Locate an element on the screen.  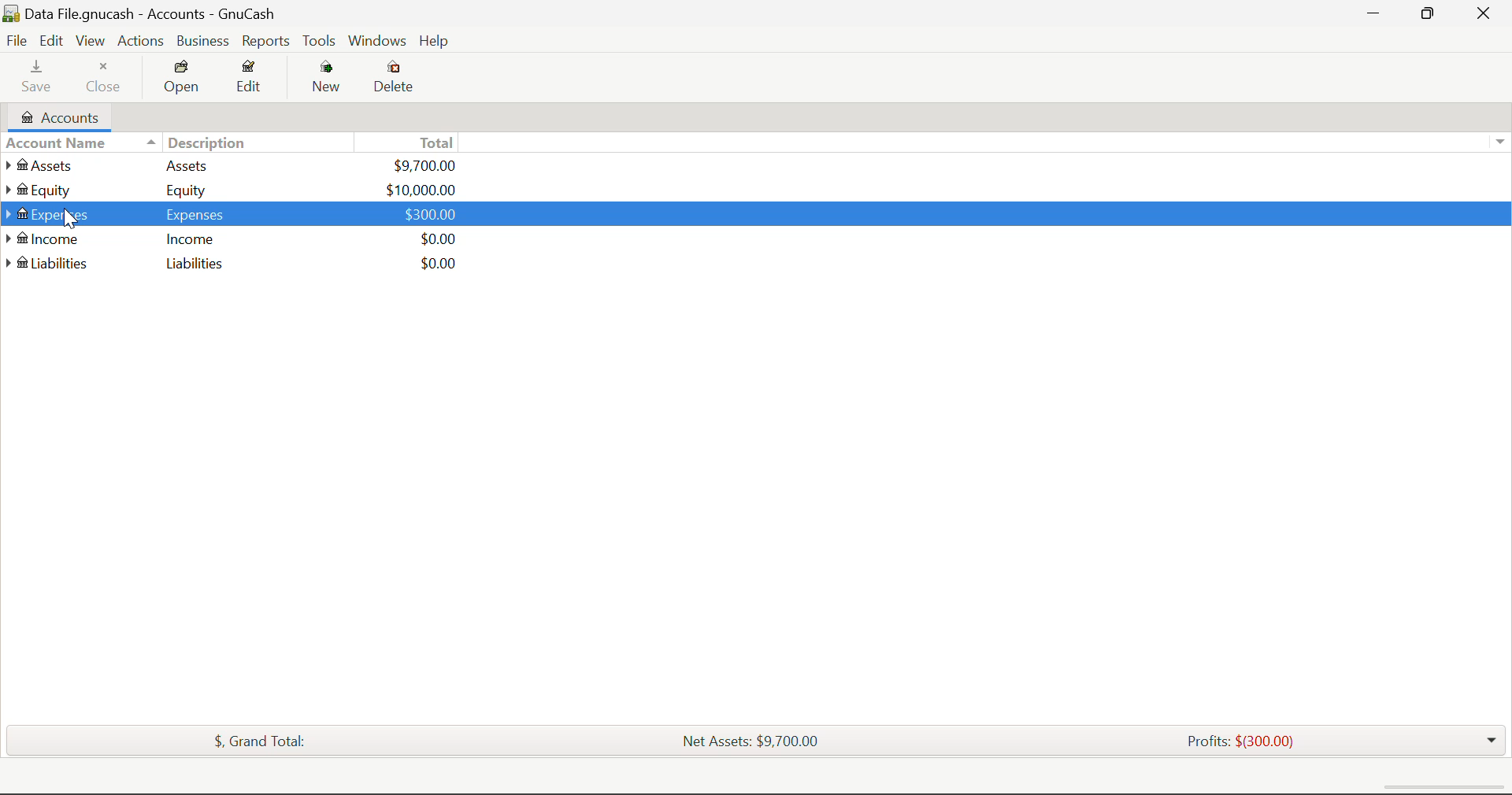
Business is located at coordinates (203, 43).